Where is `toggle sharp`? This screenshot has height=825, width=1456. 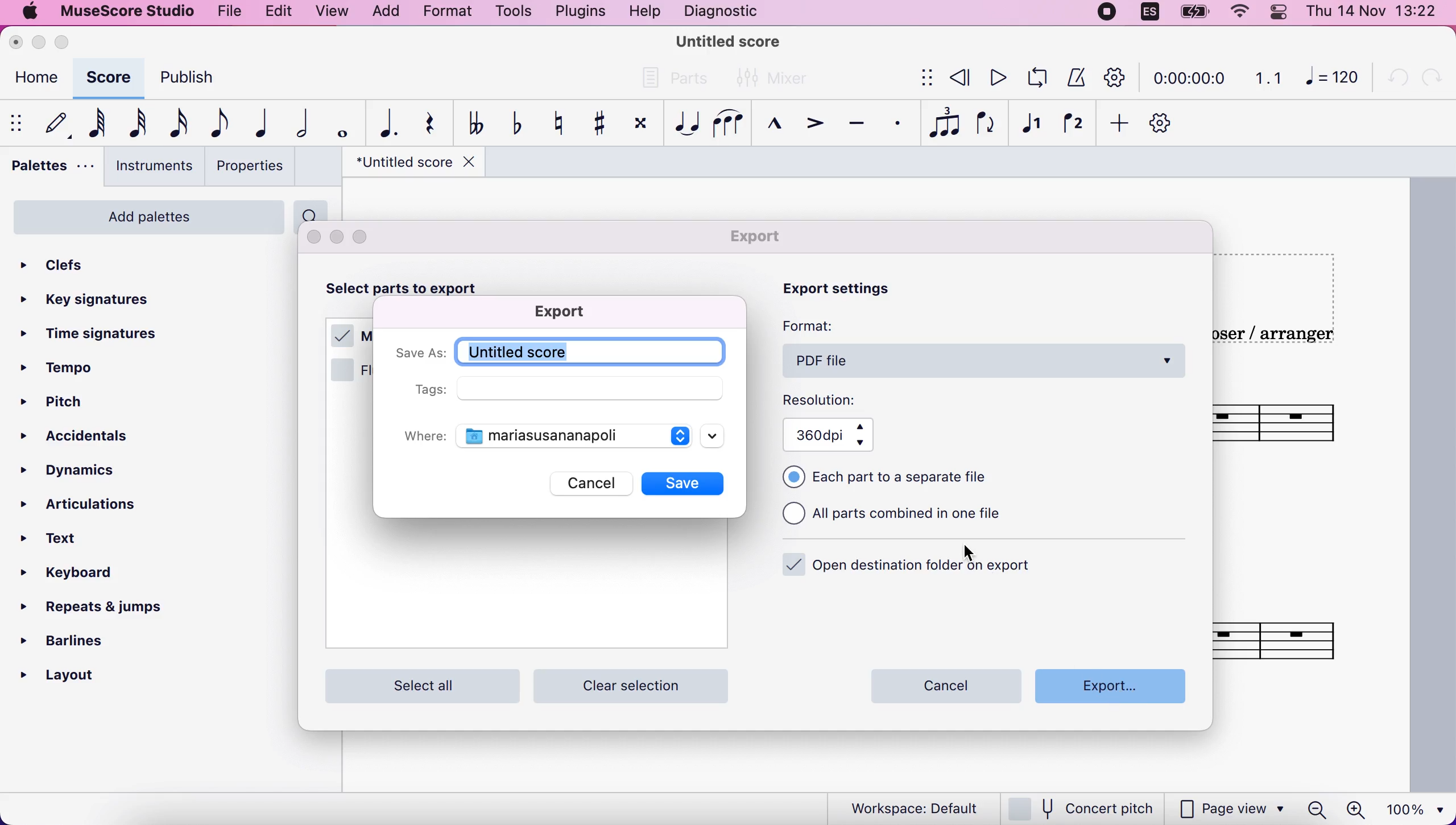
toggle sharp is located at coordinates (596, 122).